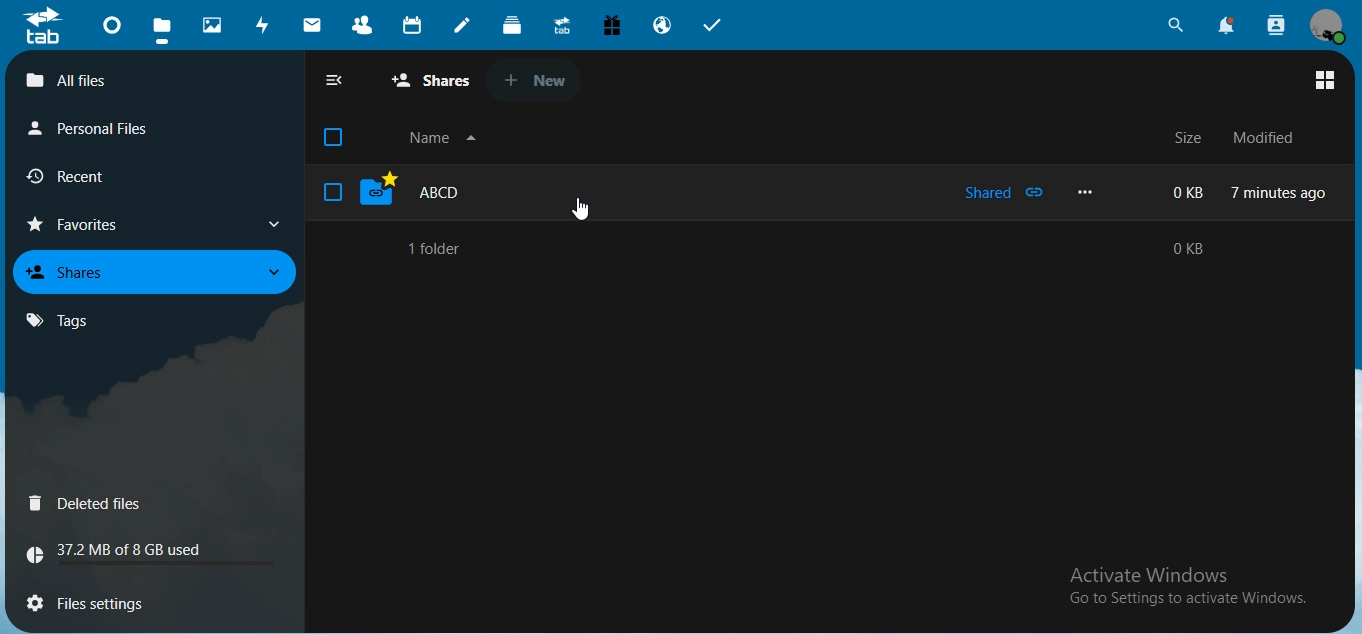  Describe the element at coordinates (335, 80) in the screenshot. I see `close navigation` at that location.